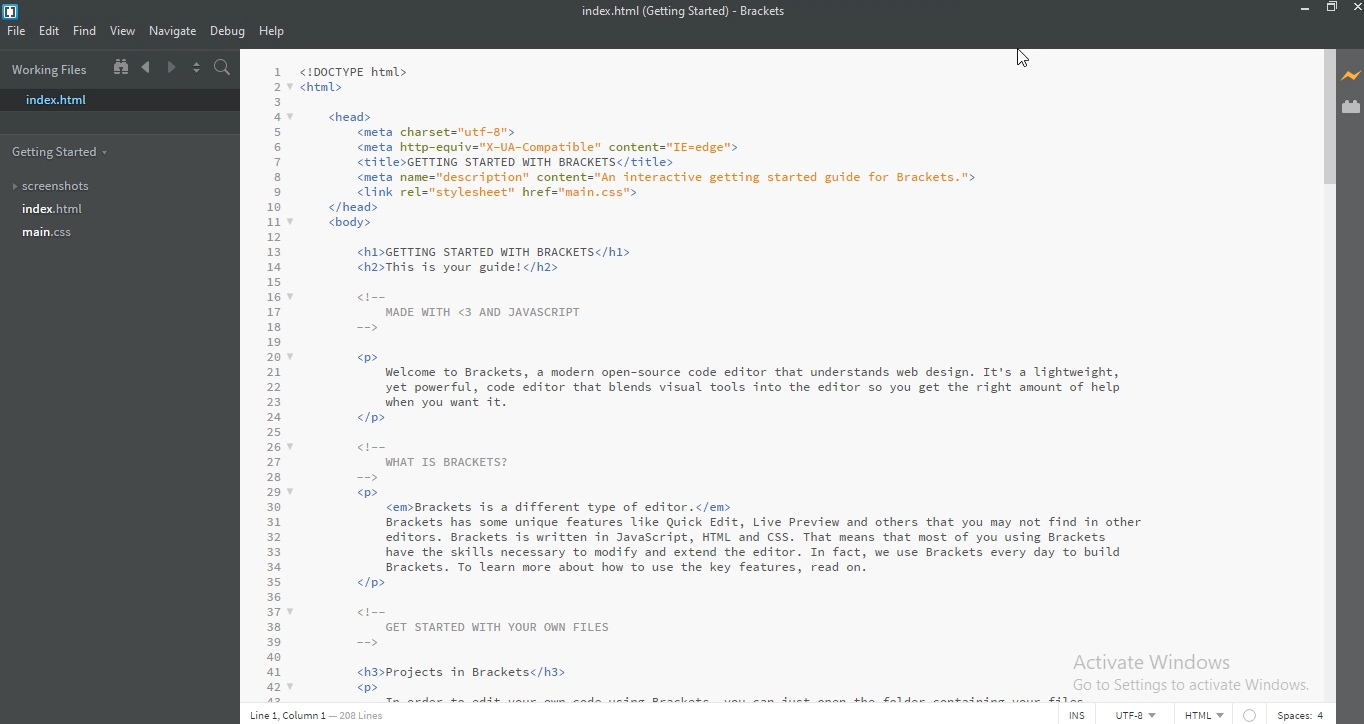  I want to click on debug, so click(229, 32).